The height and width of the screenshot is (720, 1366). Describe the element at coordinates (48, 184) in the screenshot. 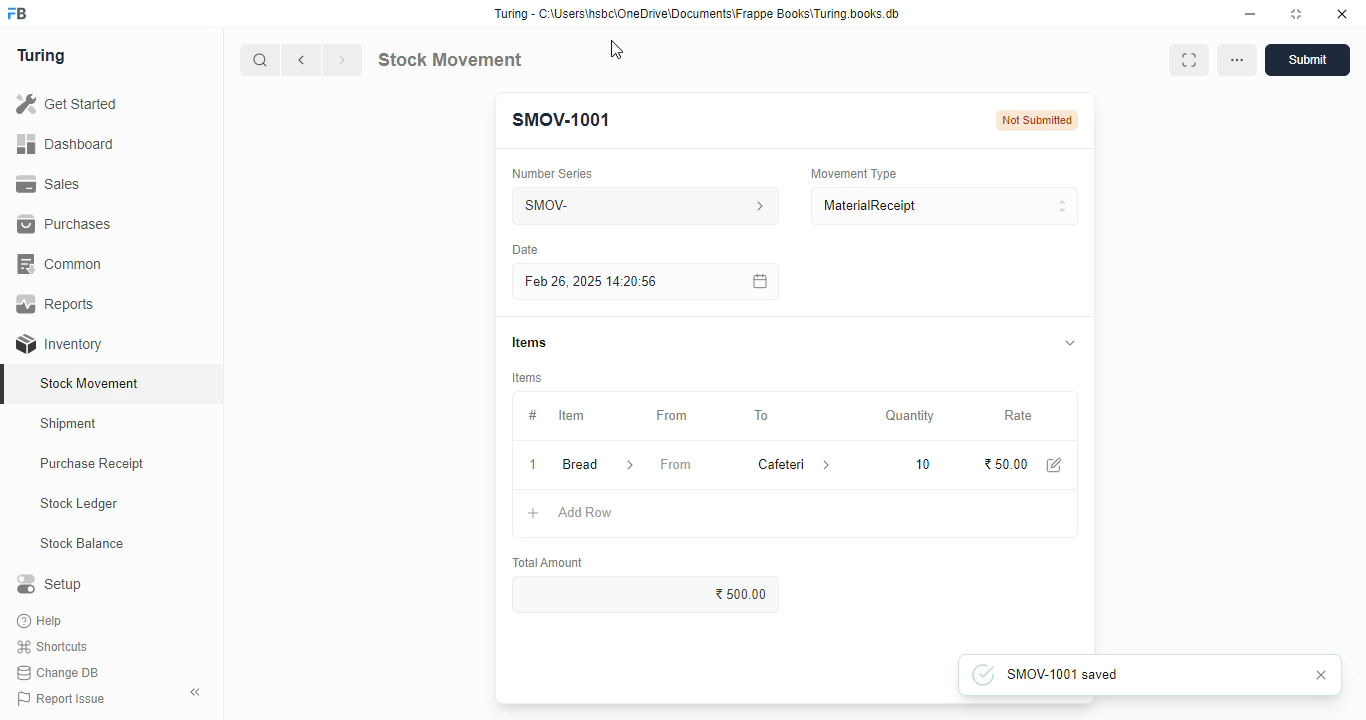

I see `sales` at that location.